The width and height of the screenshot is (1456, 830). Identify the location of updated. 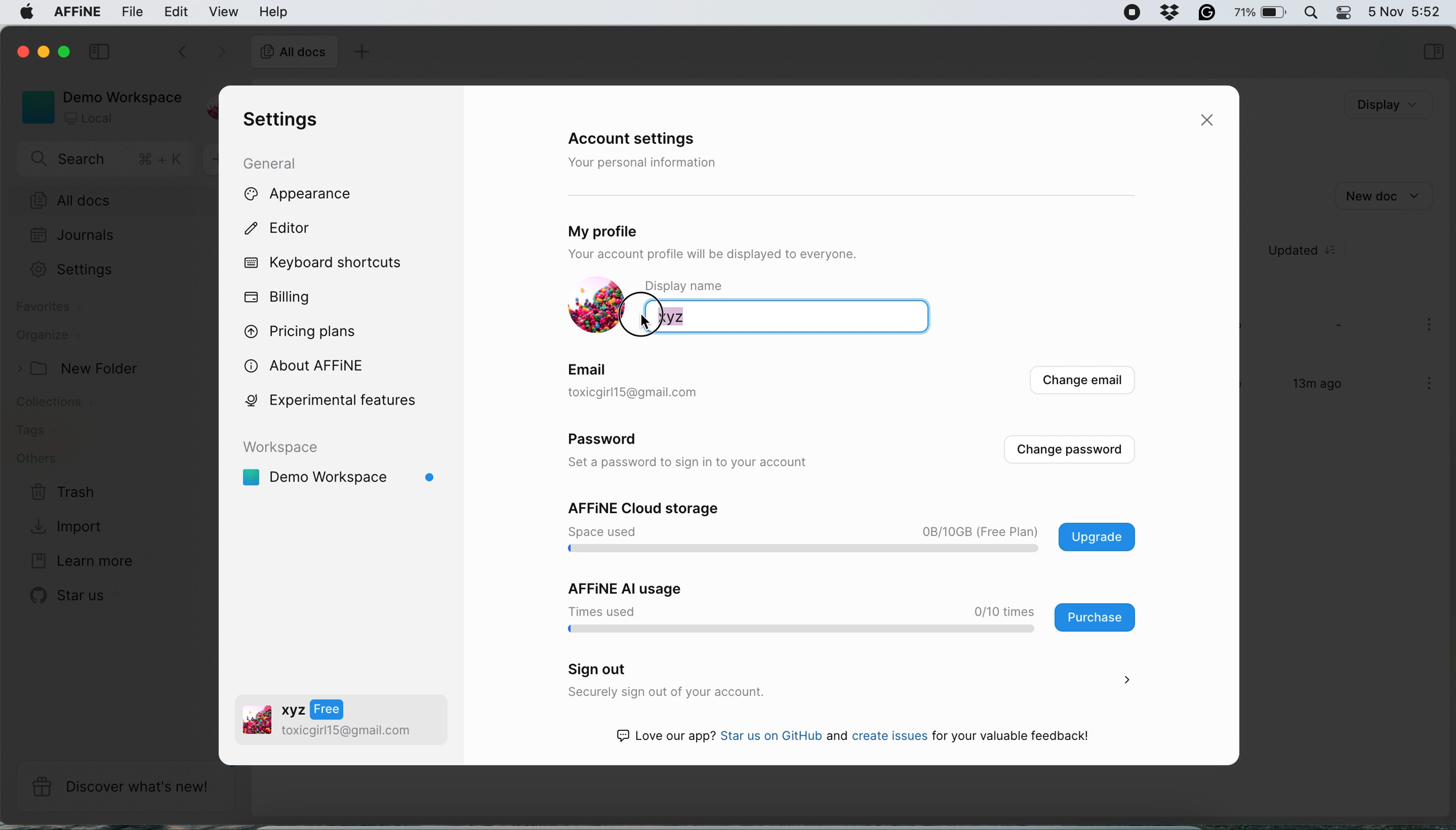
(1310, 251).